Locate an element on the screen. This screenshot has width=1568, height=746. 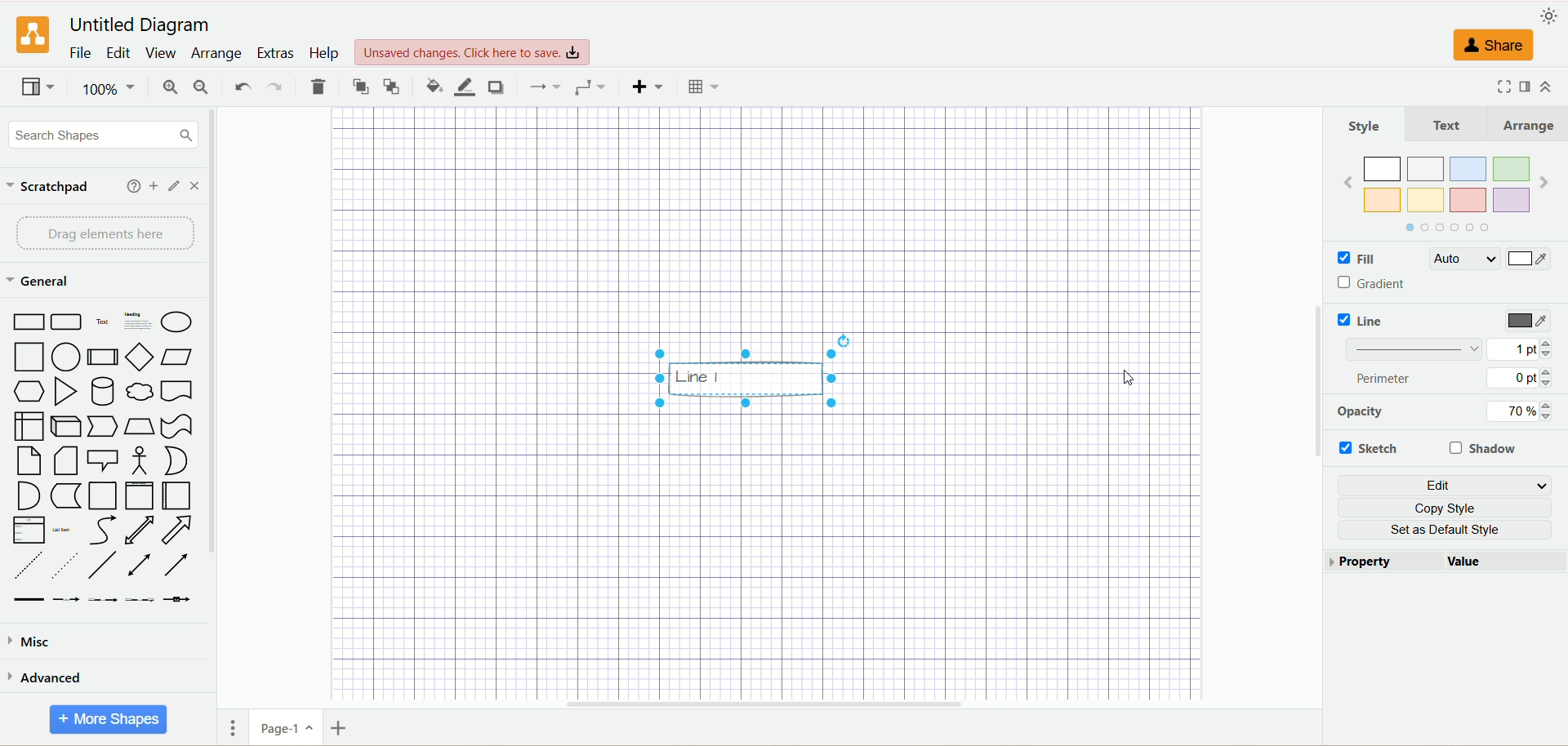
Connector with symbol is located at coordinates (176, 600).